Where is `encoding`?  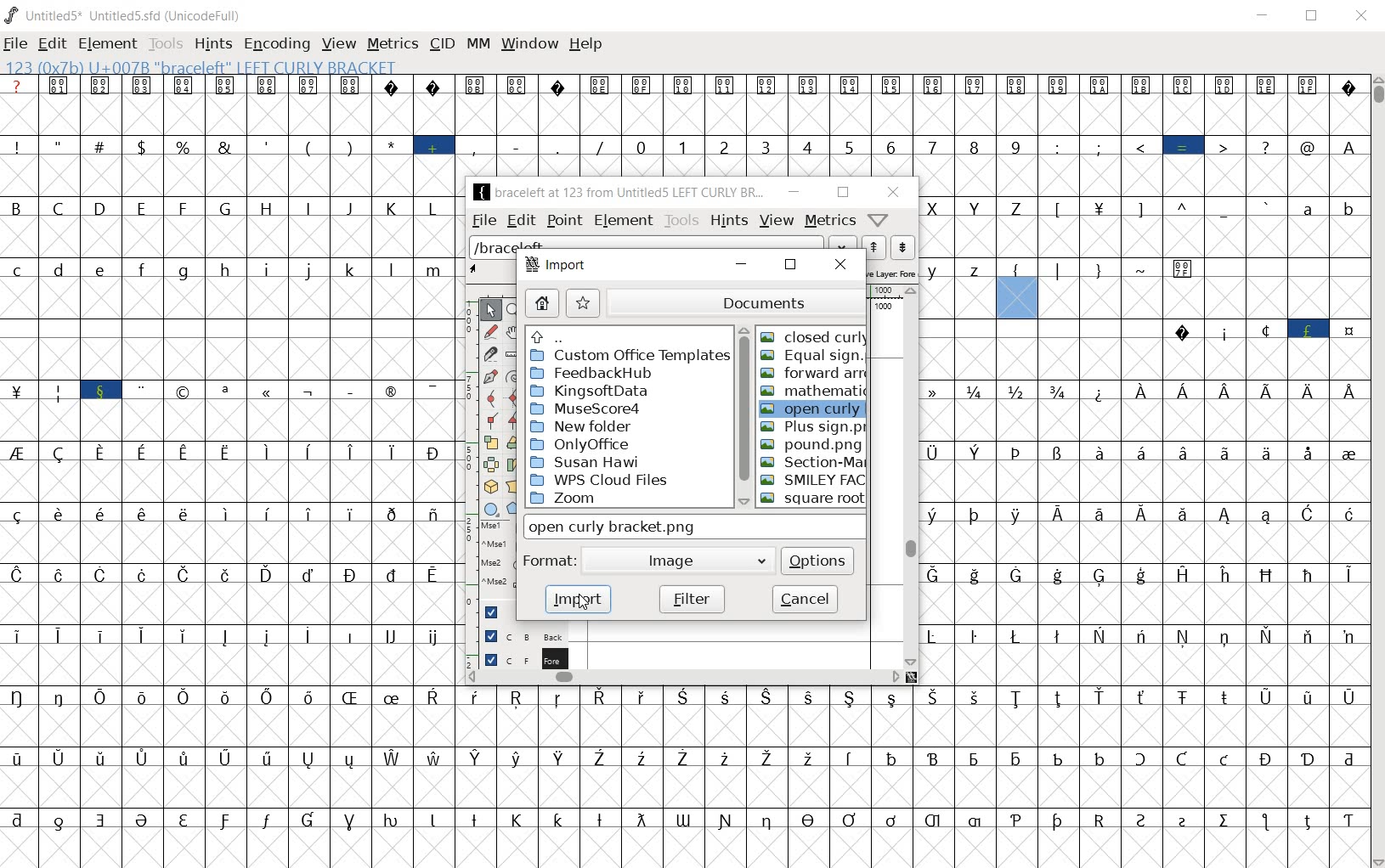 encoding is located at coordinates (276, 42).